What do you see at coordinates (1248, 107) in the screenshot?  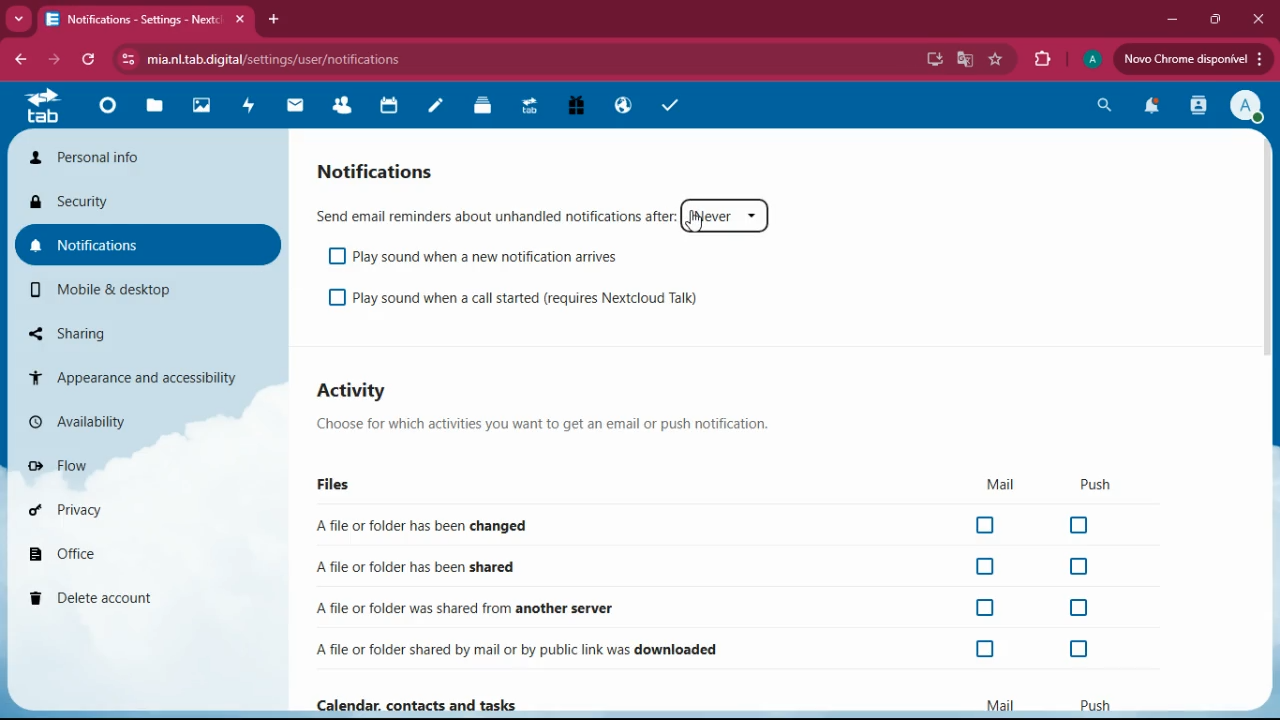 I see `profile` at bounding box center [1248, 107].